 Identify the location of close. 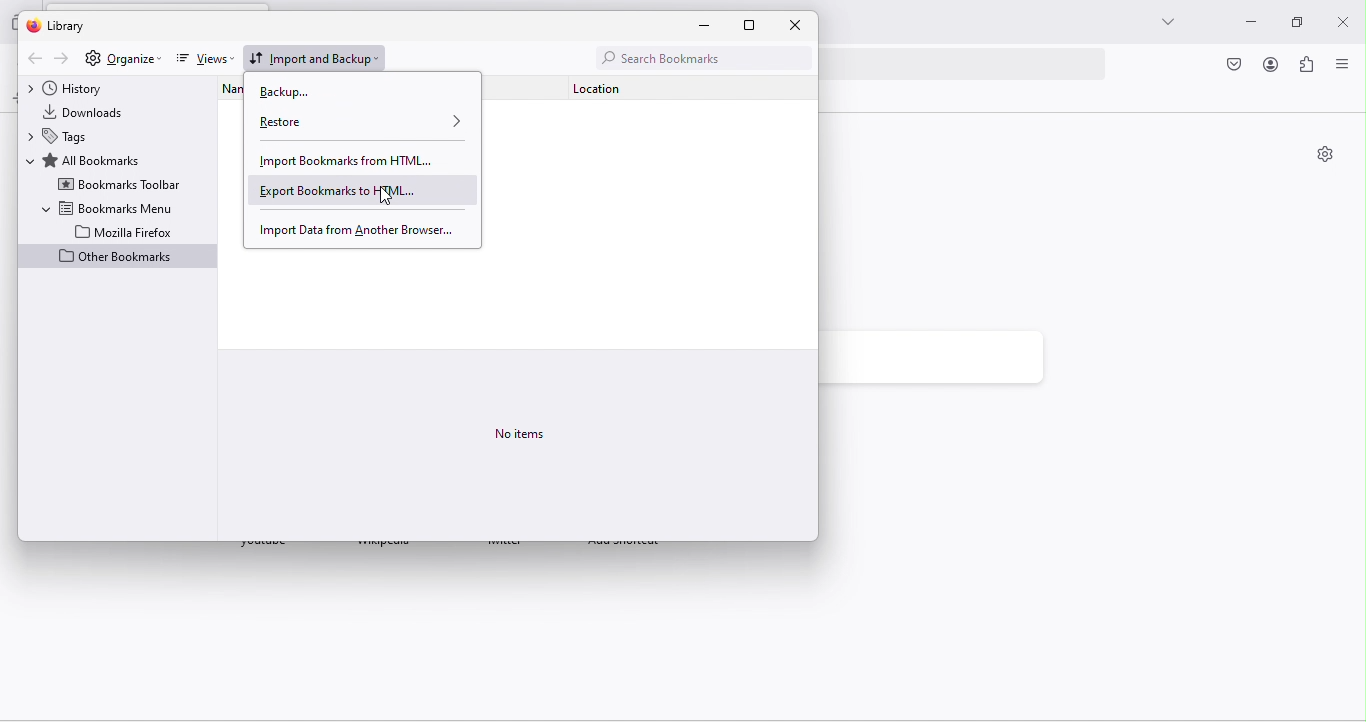
(1345, 18).